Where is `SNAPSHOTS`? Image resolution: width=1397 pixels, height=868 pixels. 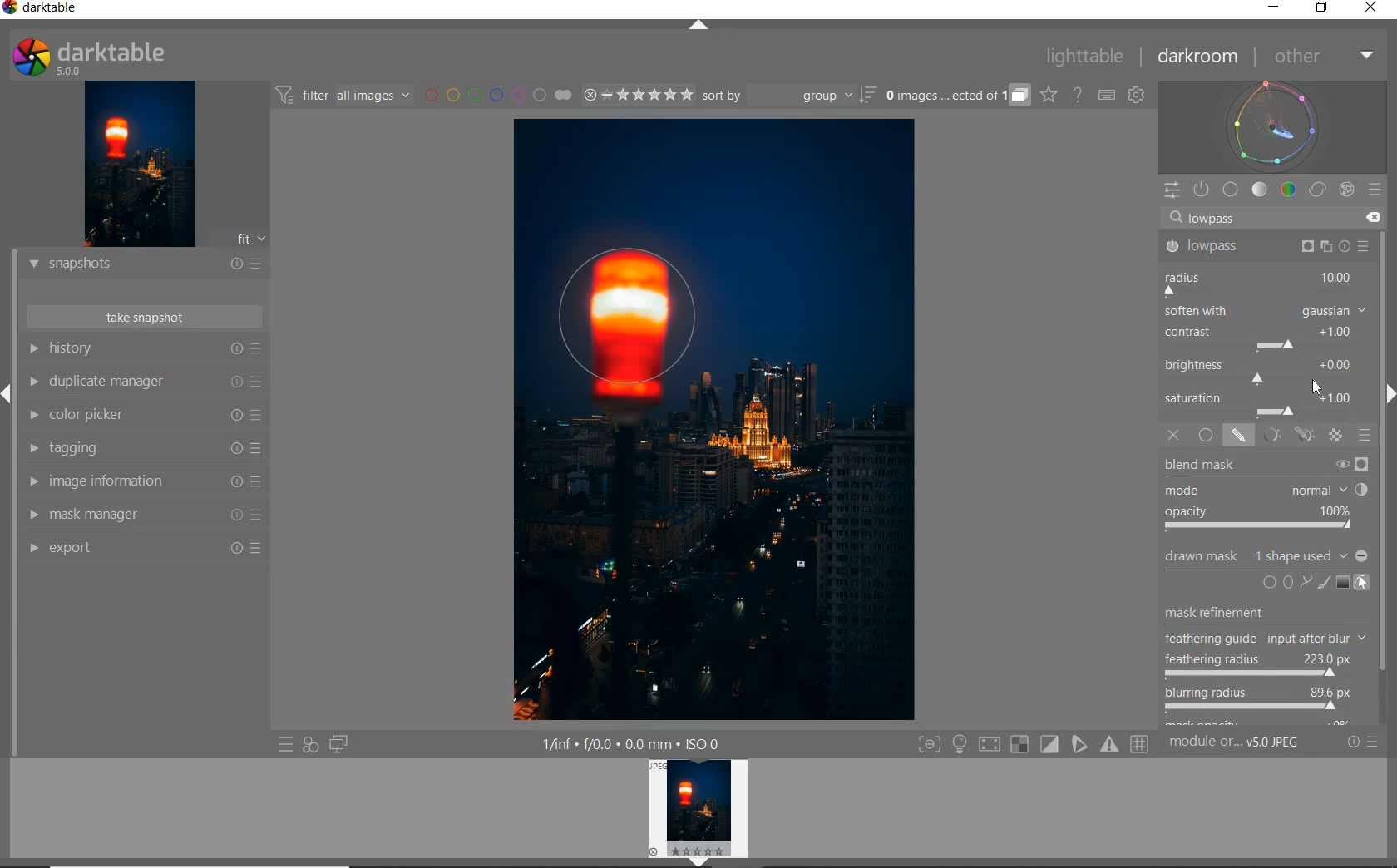 SNAPSHOTS is located at coordinates (146, 264).